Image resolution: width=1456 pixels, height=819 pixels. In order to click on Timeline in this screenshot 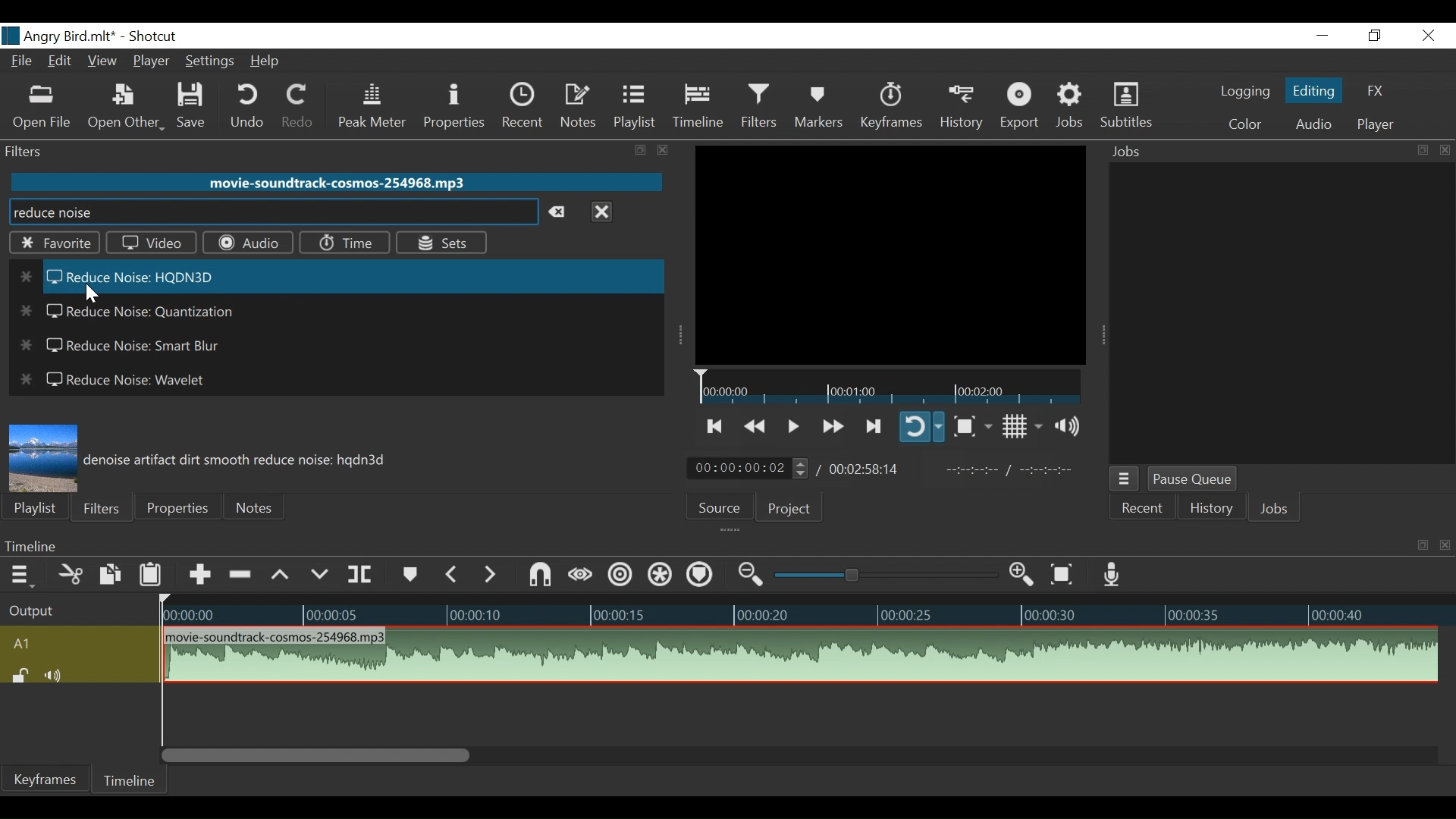, I will do `click(128, 780)`.